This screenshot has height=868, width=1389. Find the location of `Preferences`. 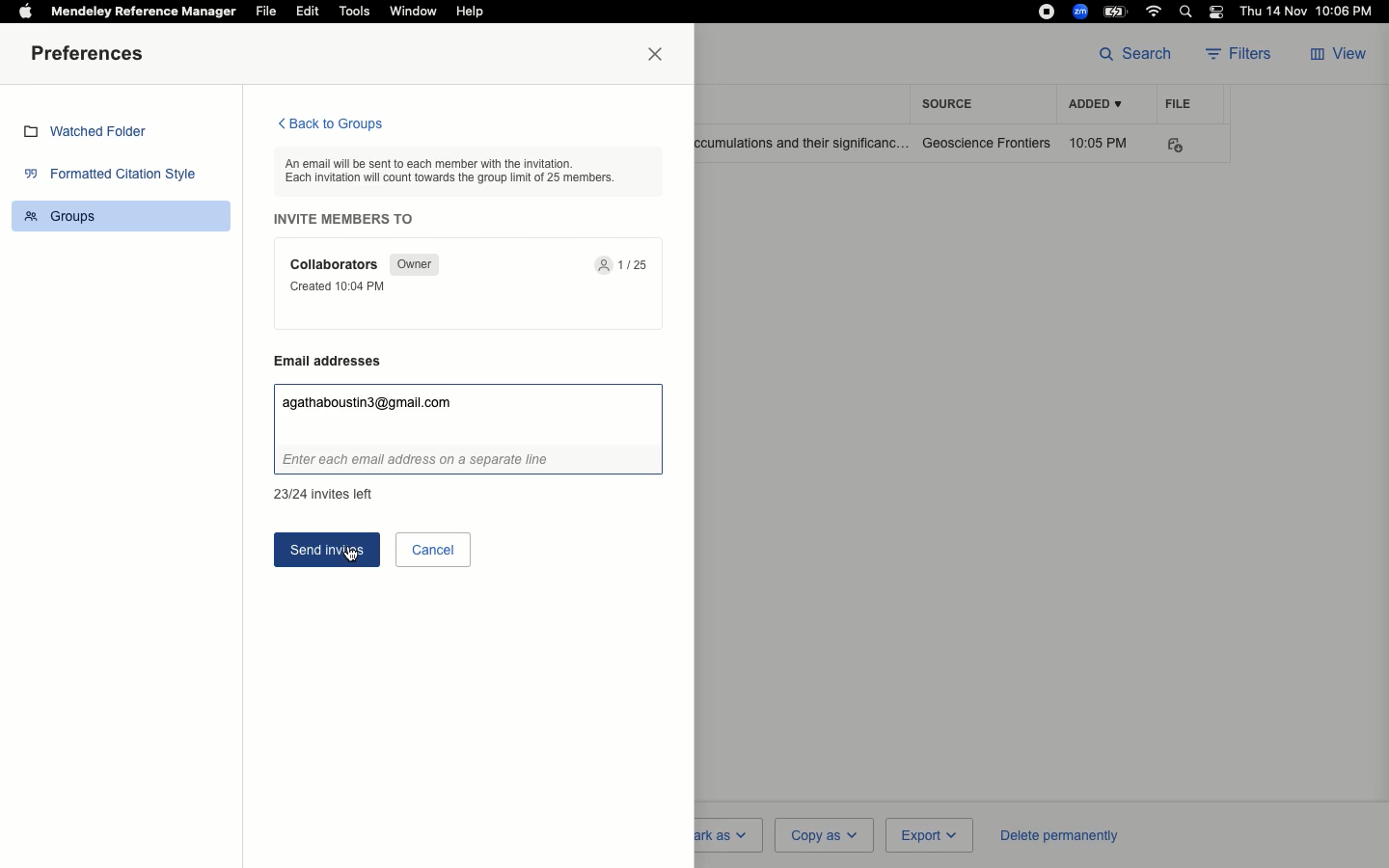

Preferences is located at coordinates (92, 55).